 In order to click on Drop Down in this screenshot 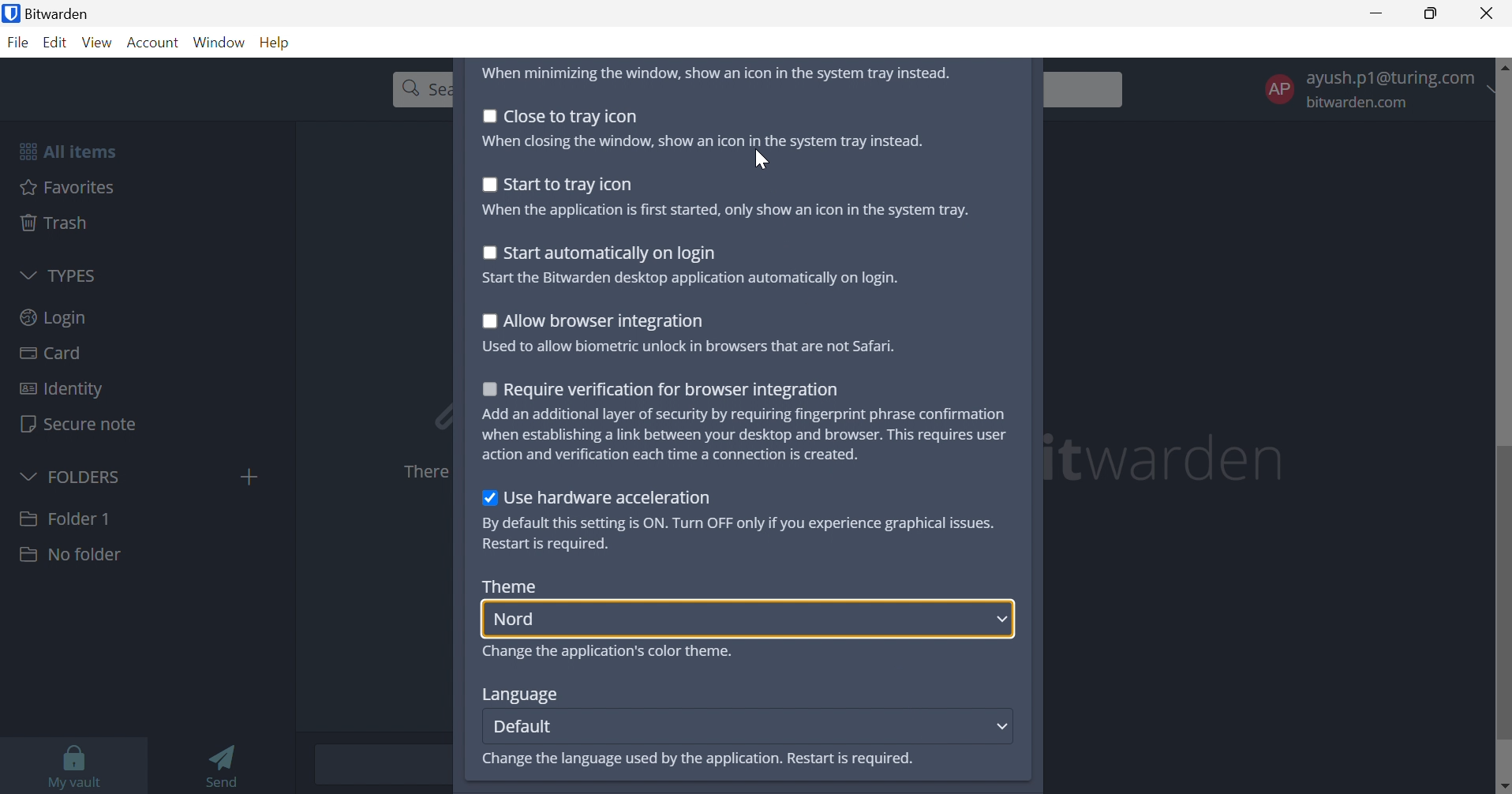, I will do `click(1001, 620)`.